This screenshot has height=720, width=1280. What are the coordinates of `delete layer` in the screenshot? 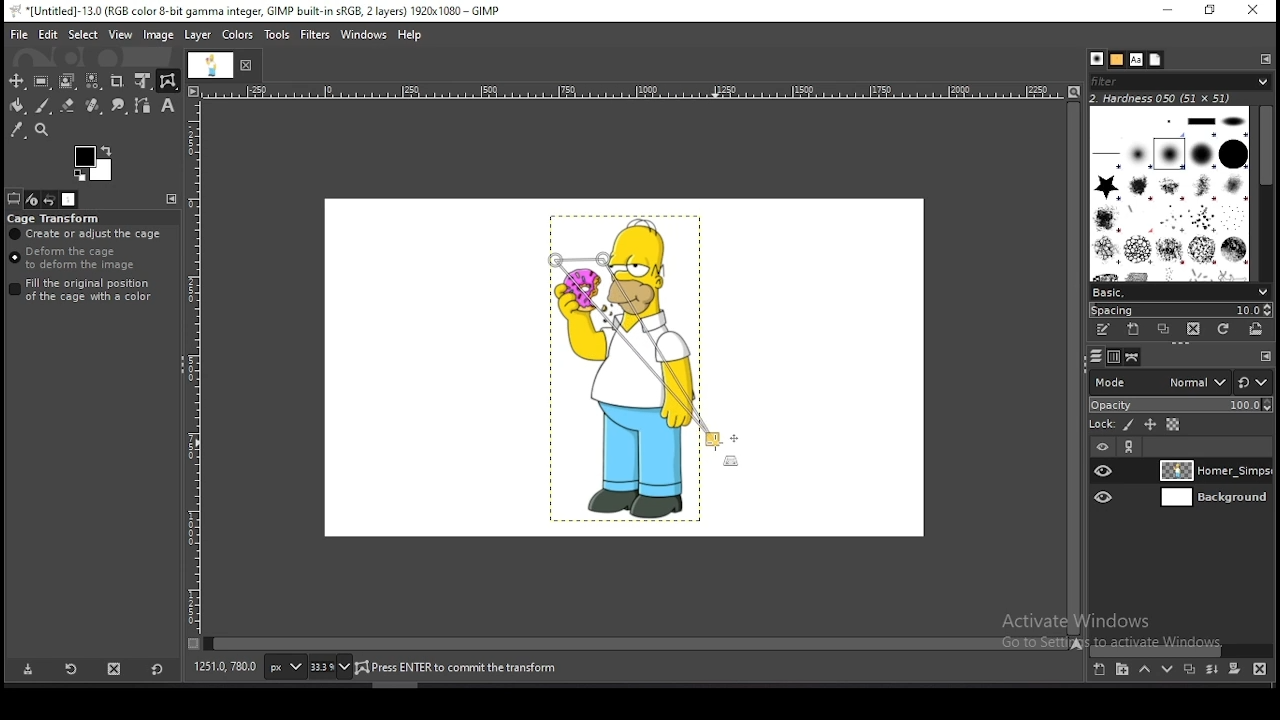 It's located at (1257, 669).